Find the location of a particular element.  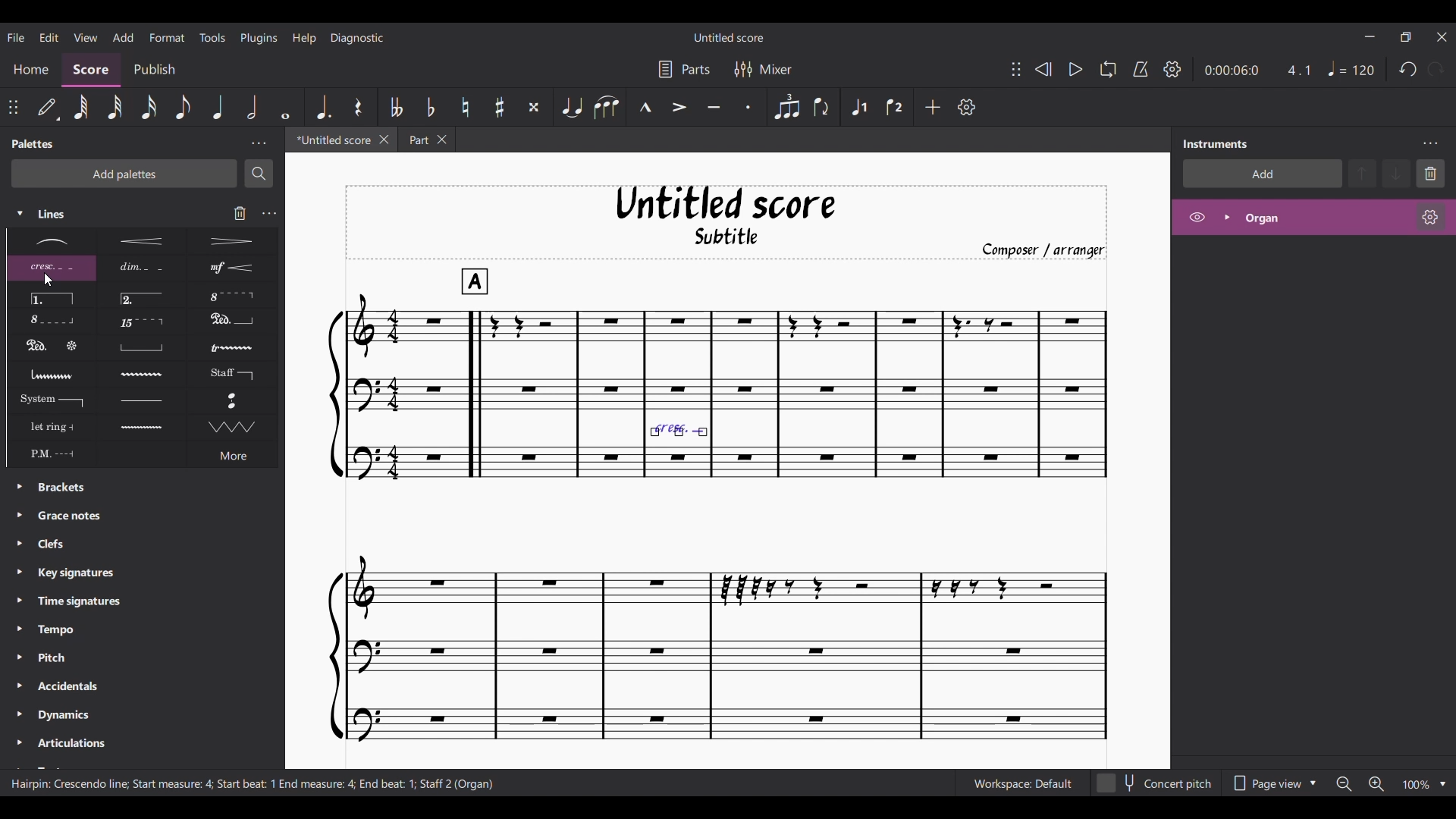

Score title is located at coordinates (730, 37).